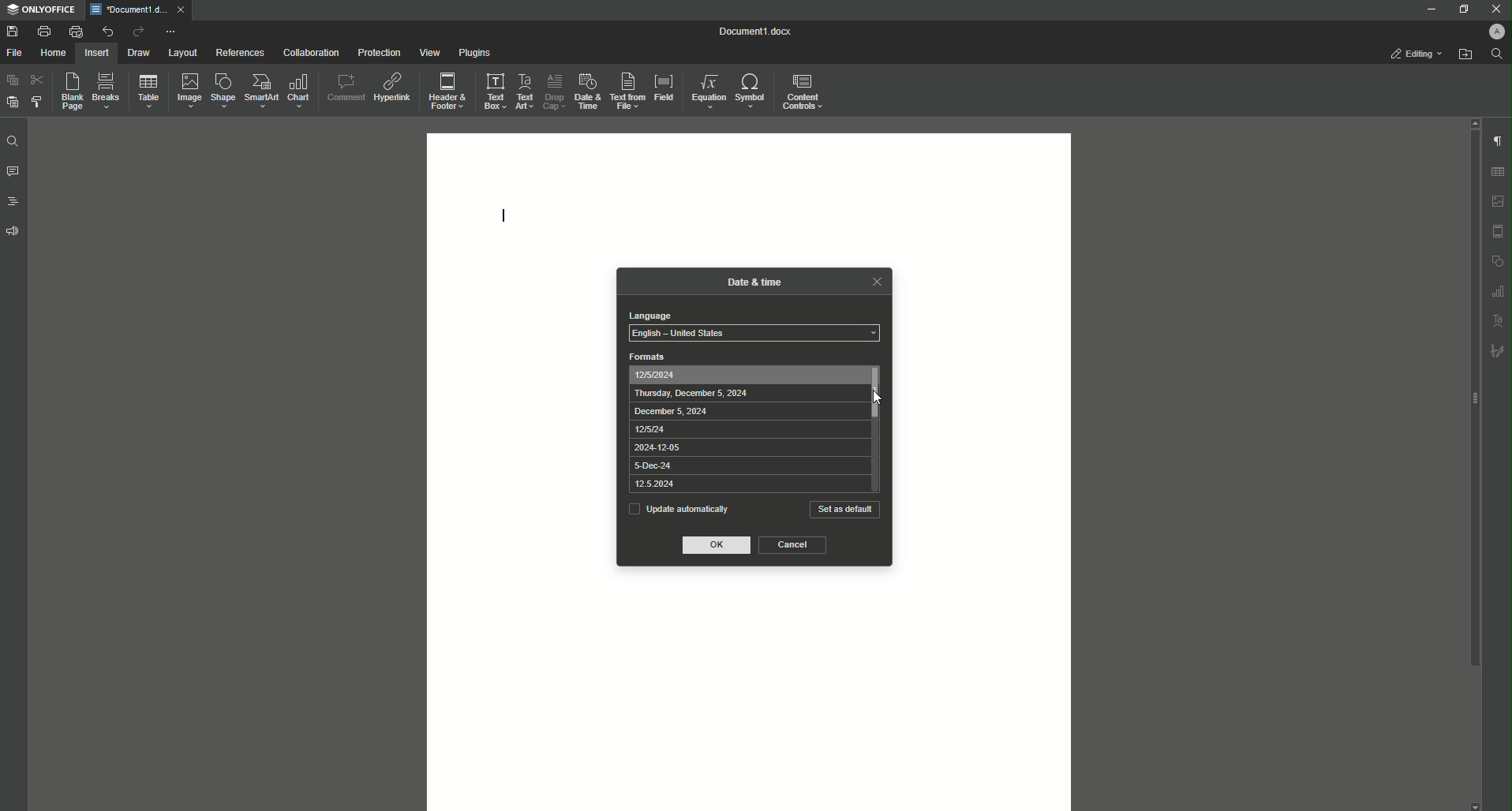 This screenshot has width=1512, height=811. What do you see at coordinates (649, 429) in the screenshot?
I see `12/5/24` at bounding box center [649, 429].